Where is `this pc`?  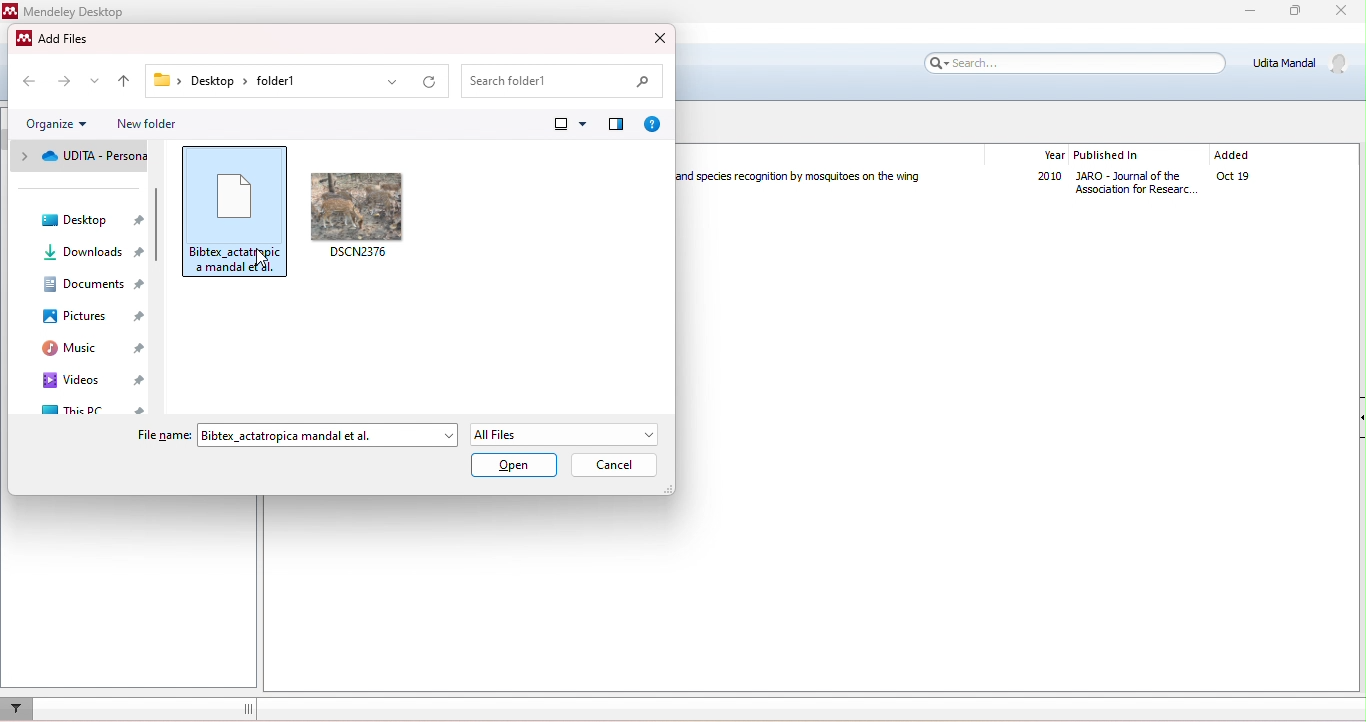 this pc is located at coordinates (95, 408).